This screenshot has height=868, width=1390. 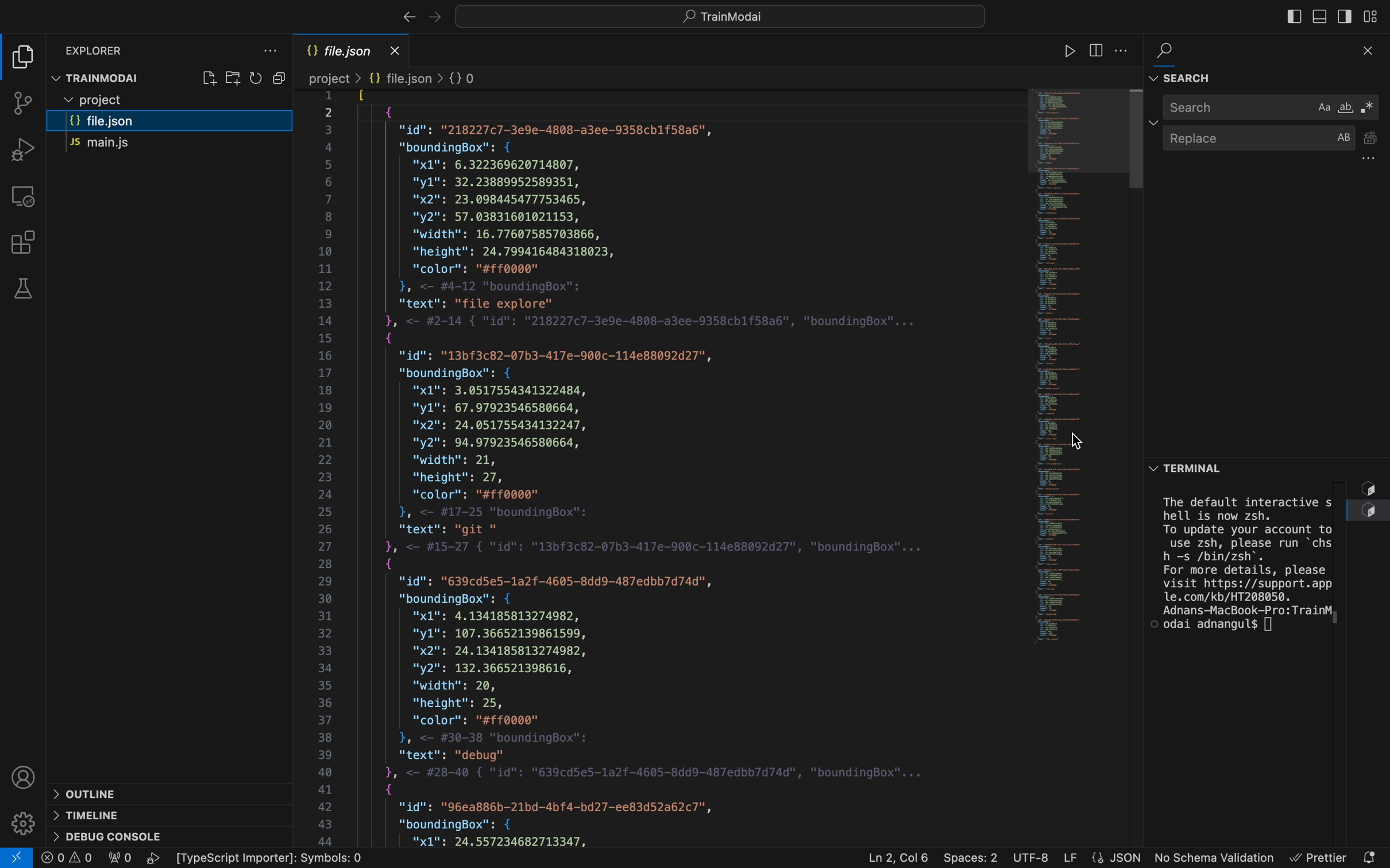 I want to click on toggle bar, so click(x=1286, y=18).